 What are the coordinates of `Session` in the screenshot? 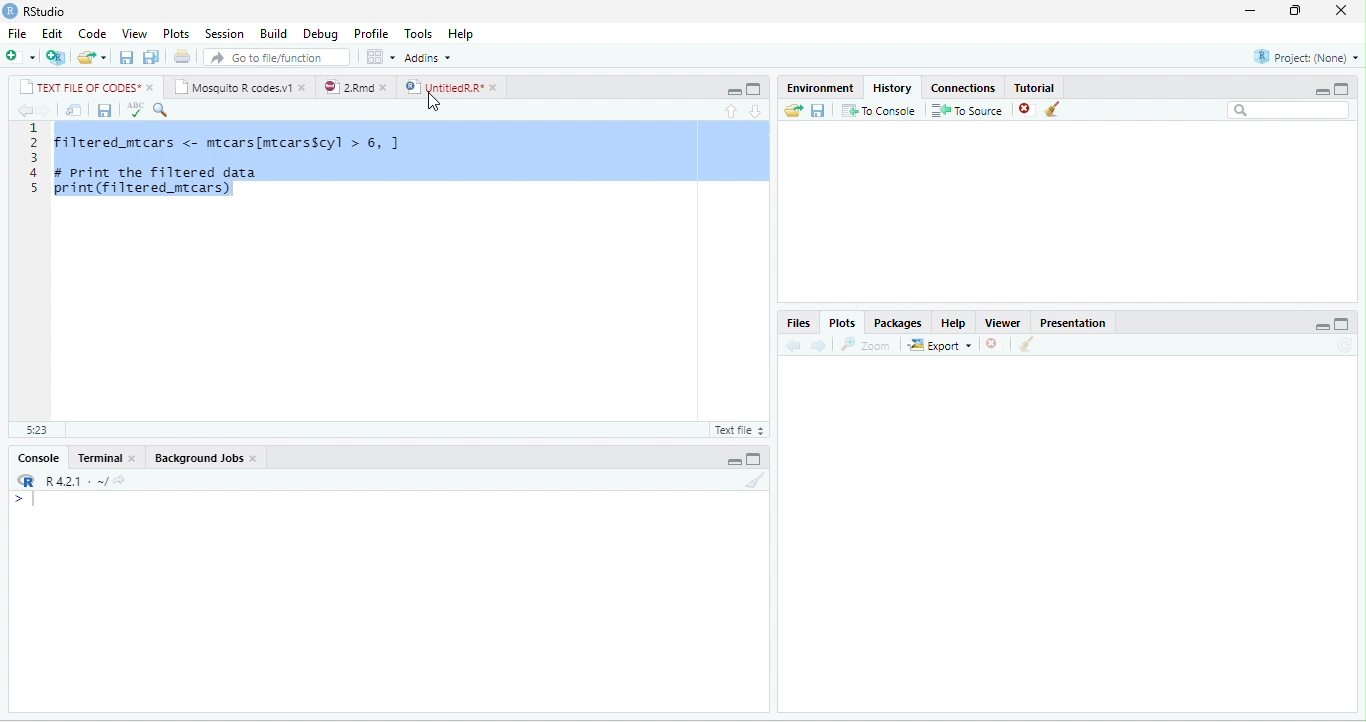 It's located at (225, 33).